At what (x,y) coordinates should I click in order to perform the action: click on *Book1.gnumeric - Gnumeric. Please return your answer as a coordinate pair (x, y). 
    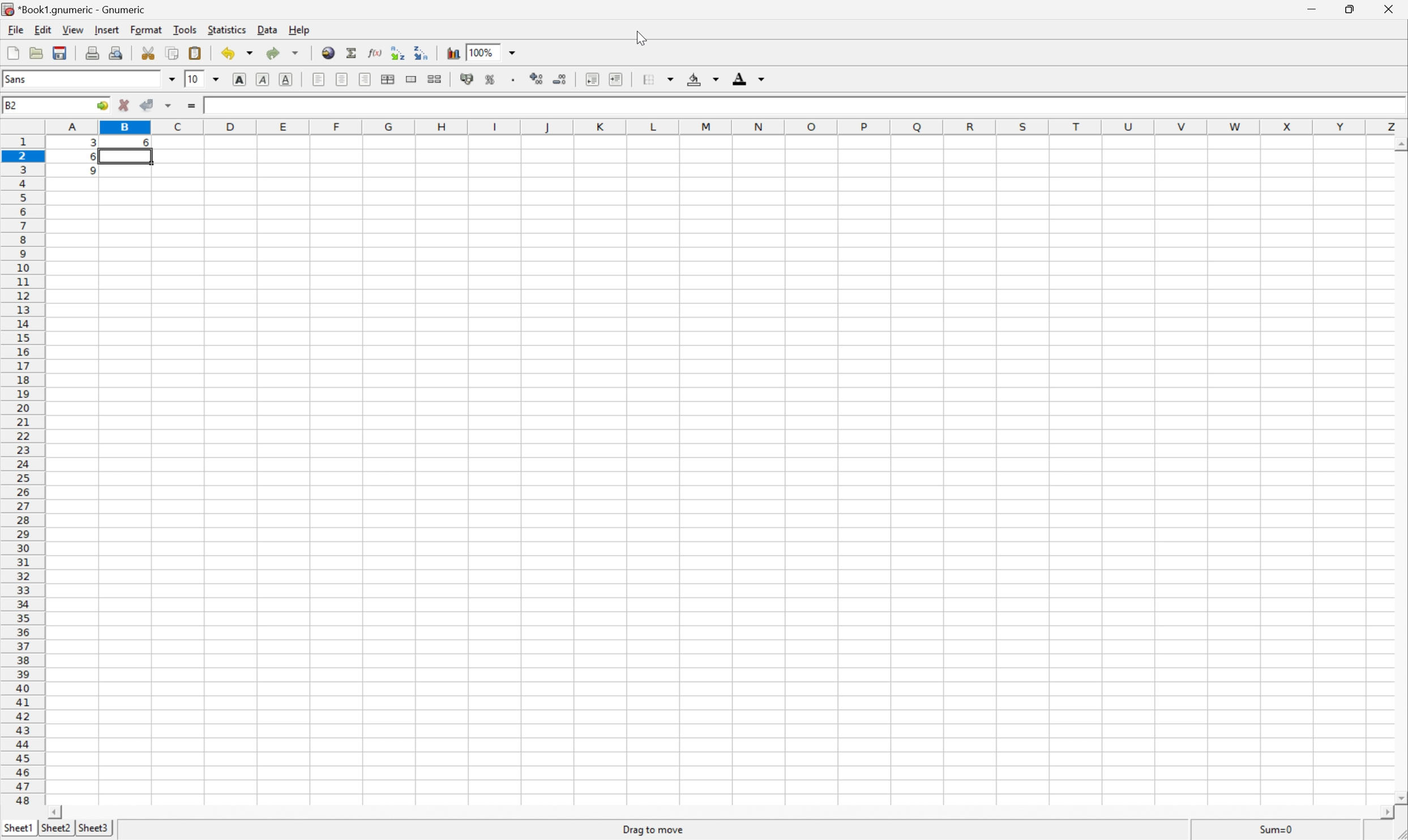
    Looking at the image, I should click on (76, 10).